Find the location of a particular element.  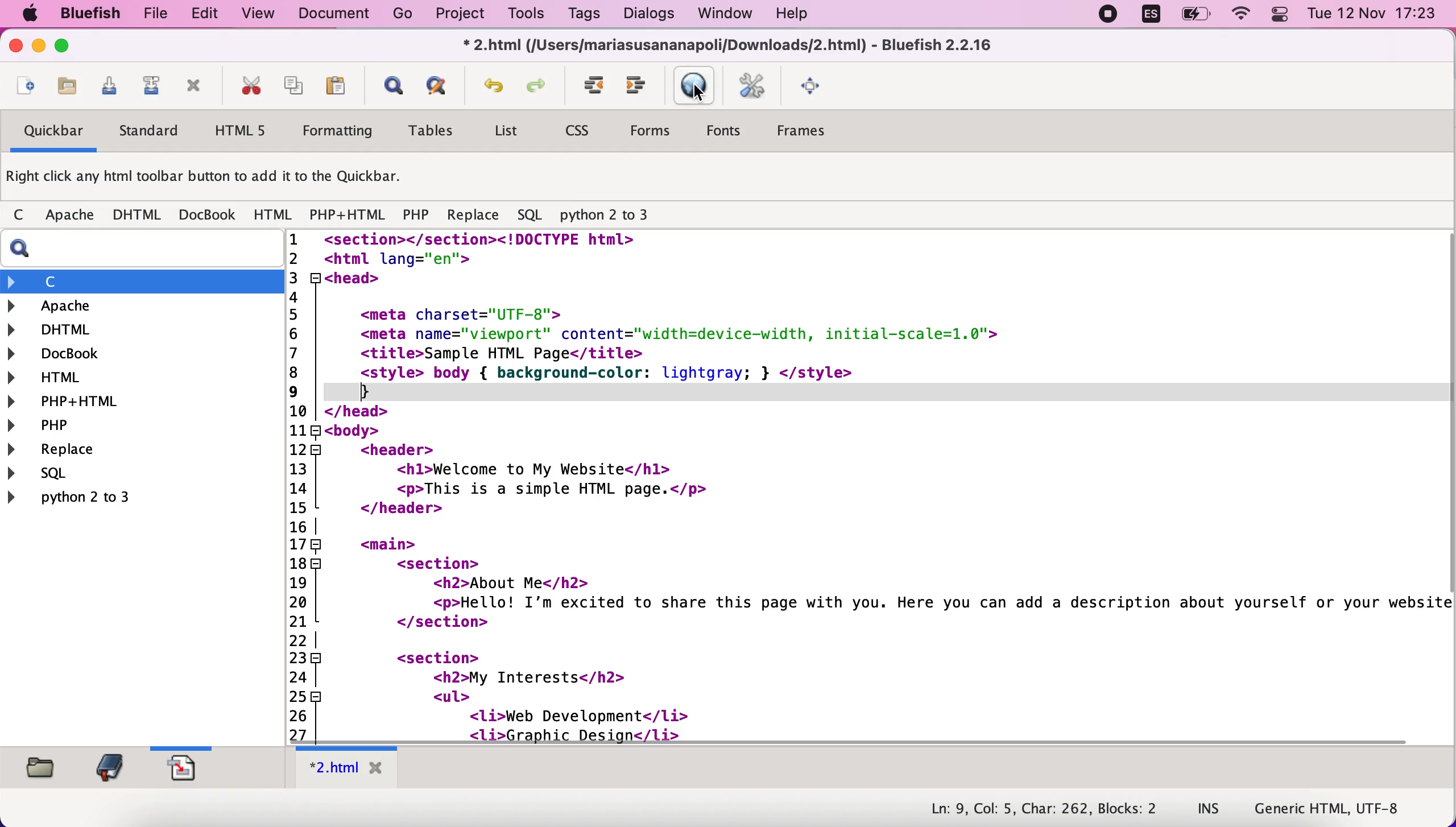

dhtml is located at coordinates (137, 331).